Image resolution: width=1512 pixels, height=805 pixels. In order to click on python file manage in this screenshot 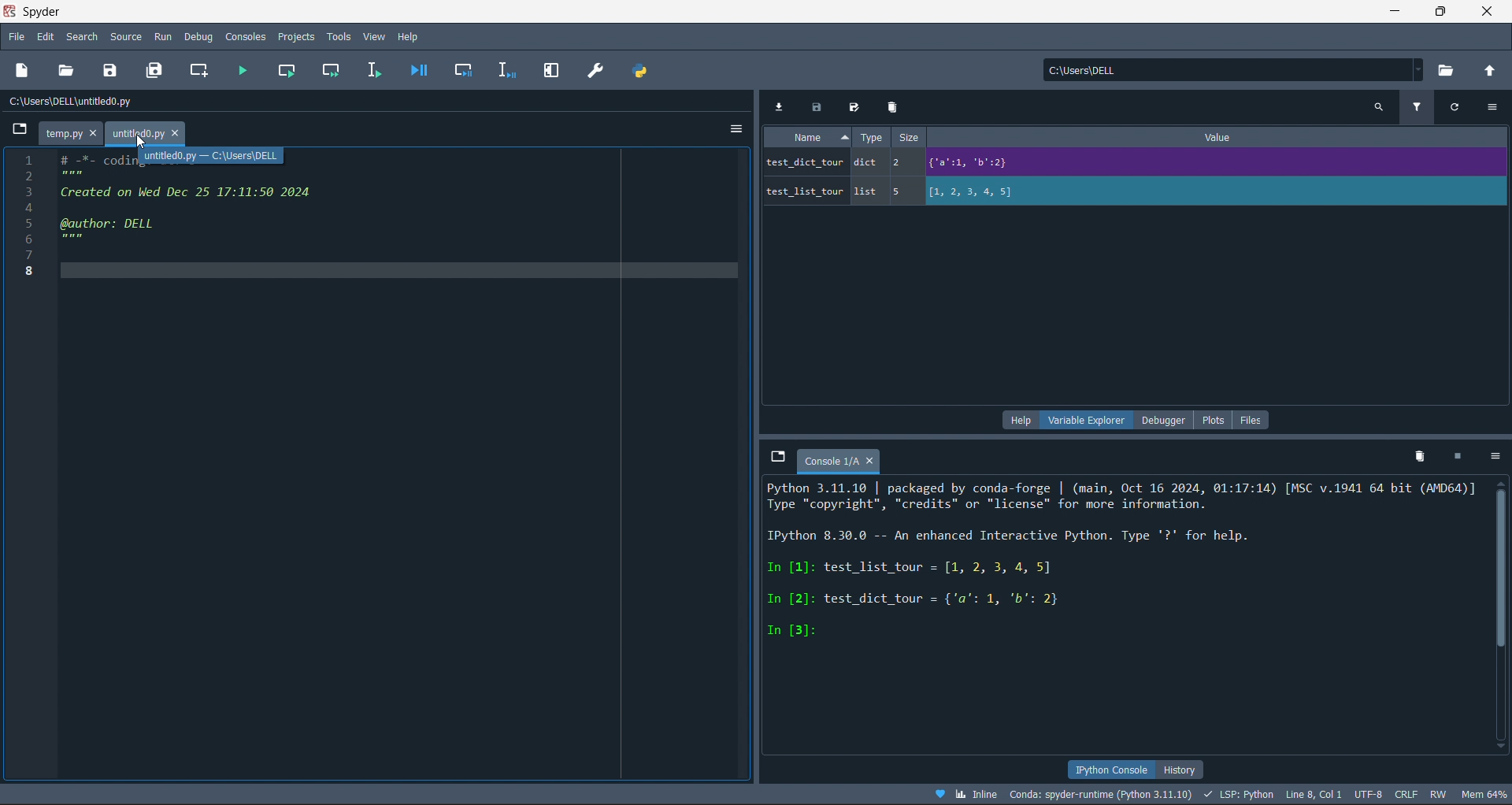, I will do `click(639, 71)`.